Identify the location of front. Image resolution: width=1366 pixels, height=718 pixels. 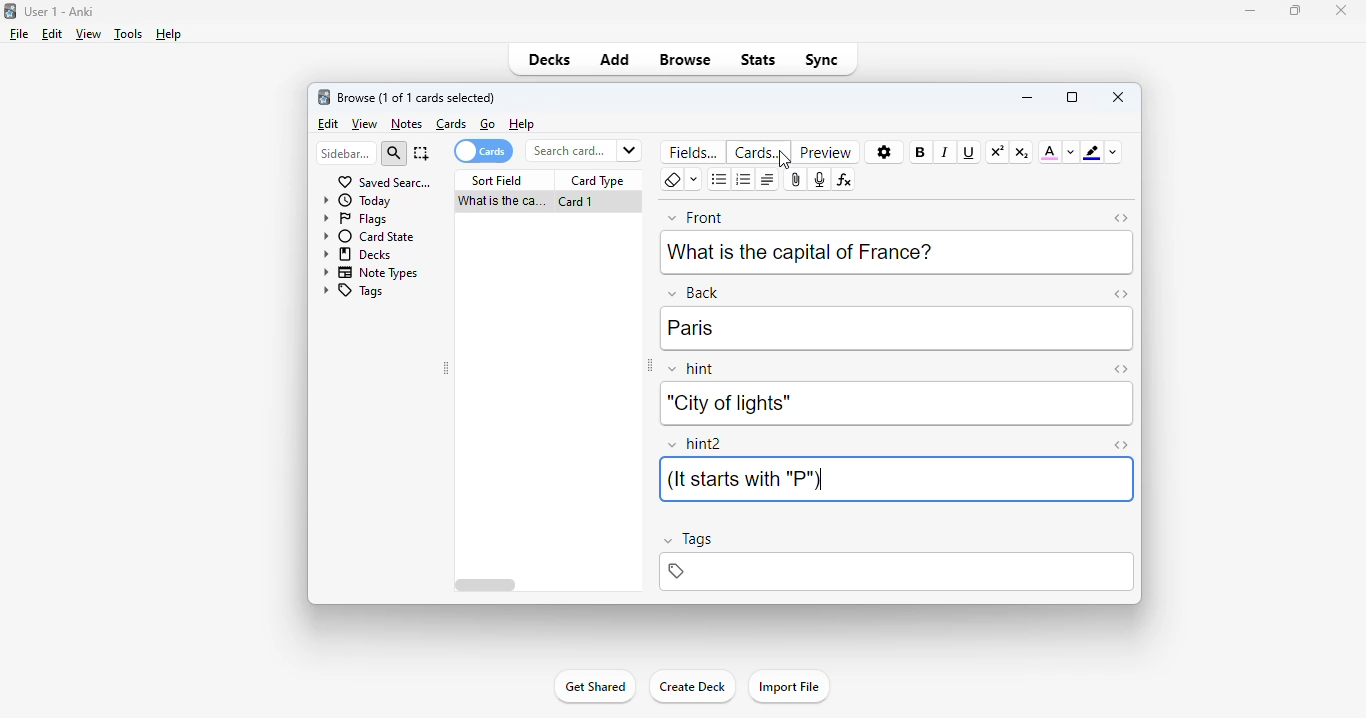
(696, 216).